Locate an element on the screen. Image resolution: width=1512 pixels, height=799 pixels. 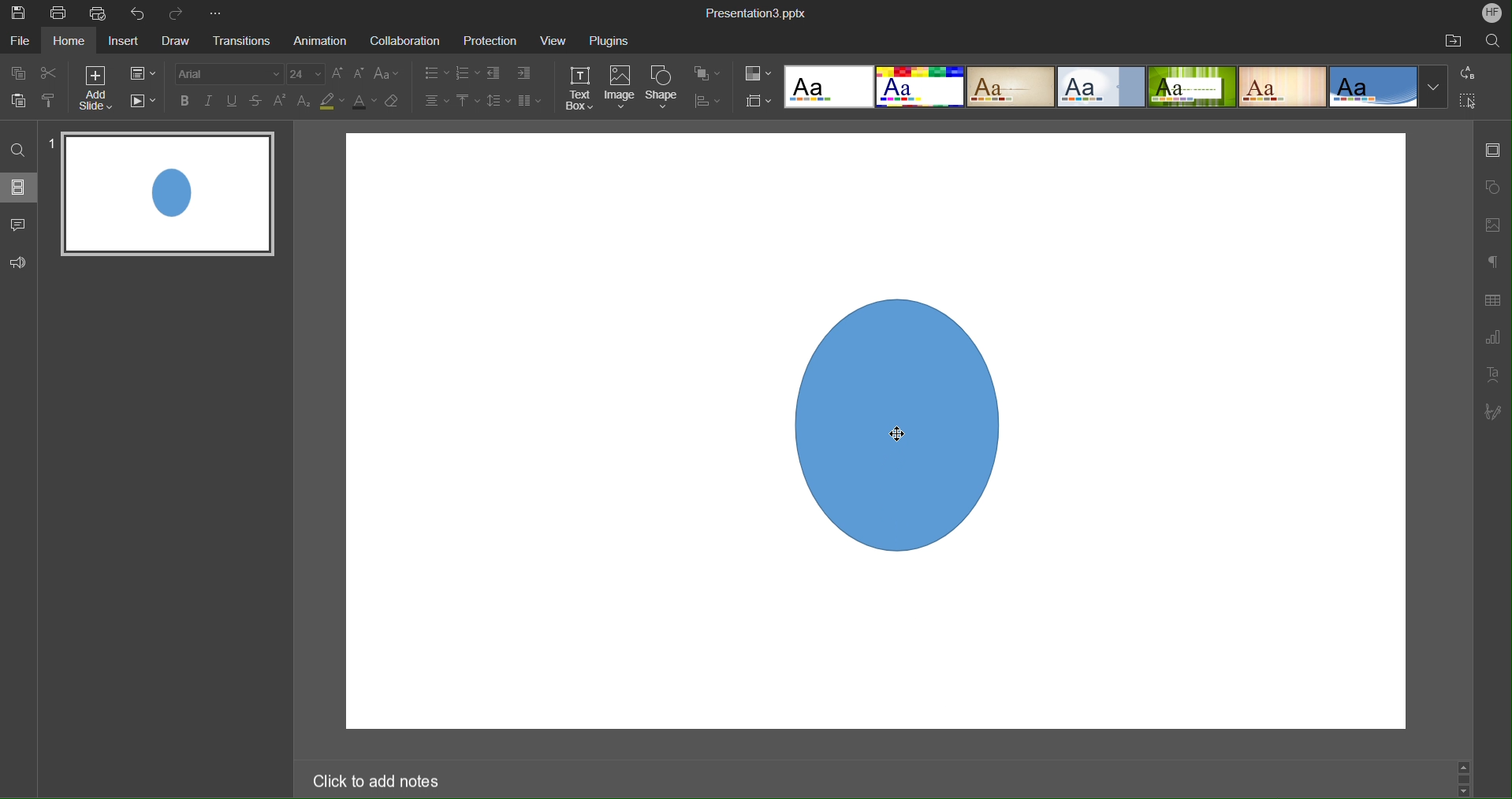
View is located at coordinates (555, 40).